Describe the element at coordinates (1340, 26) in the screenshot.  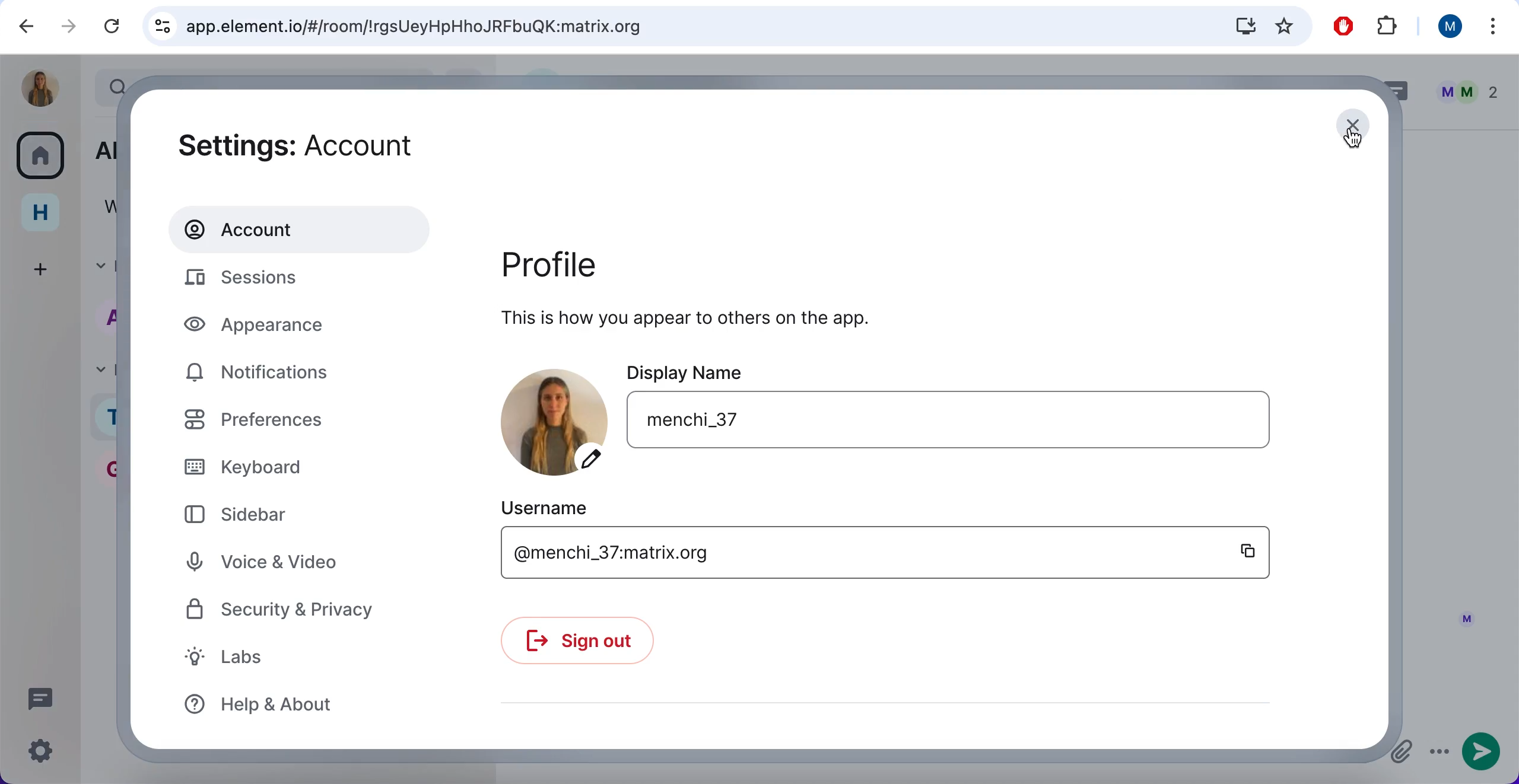
I see `ad block` at that location.